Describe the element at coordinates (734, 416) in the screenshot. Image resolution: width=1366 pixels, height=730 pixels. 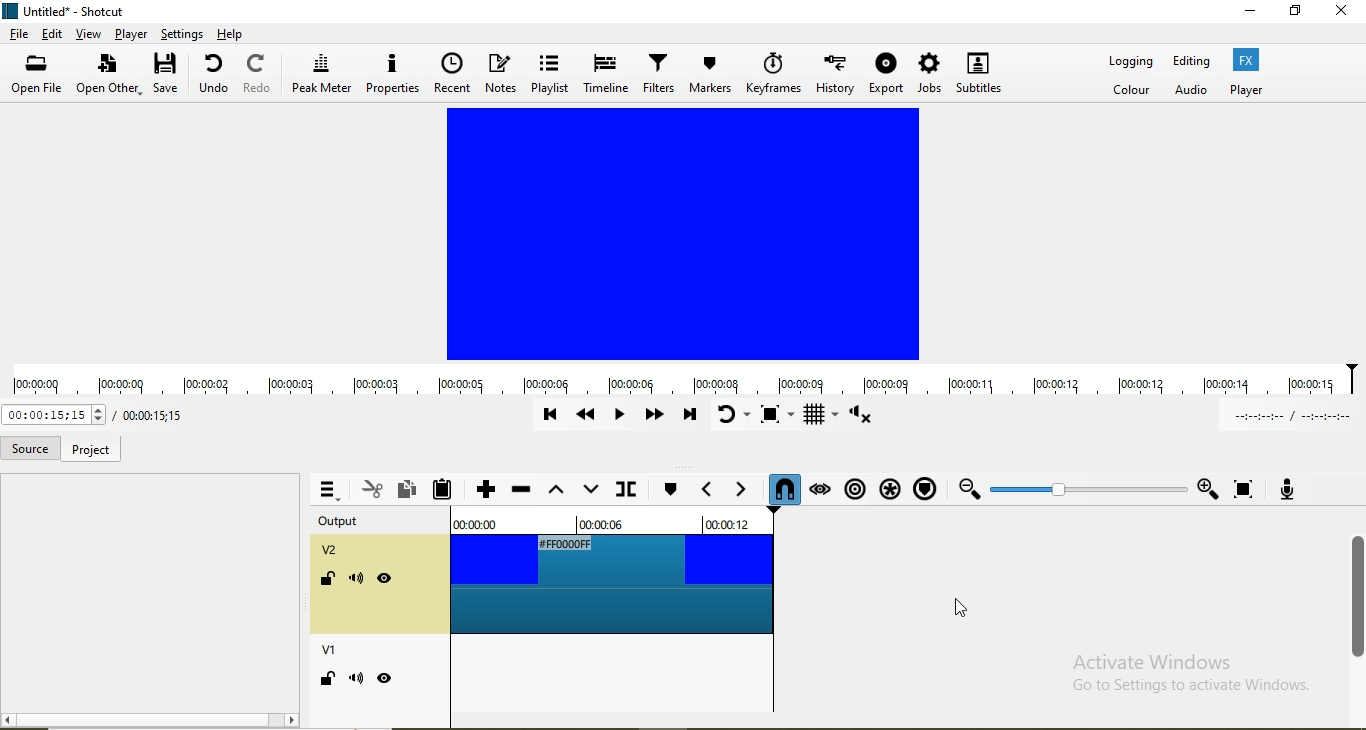
I see `` at that location.